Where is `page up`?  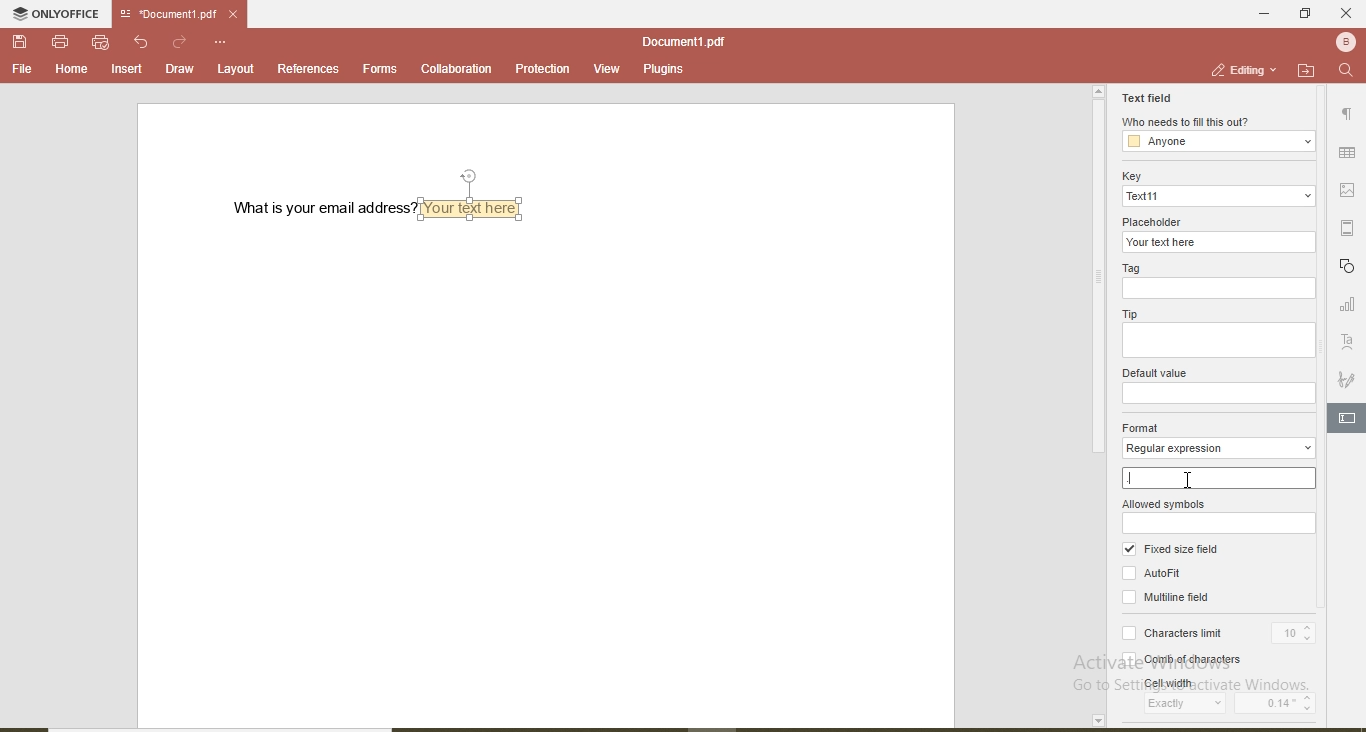
page up is located at coordinates (1098, 92).